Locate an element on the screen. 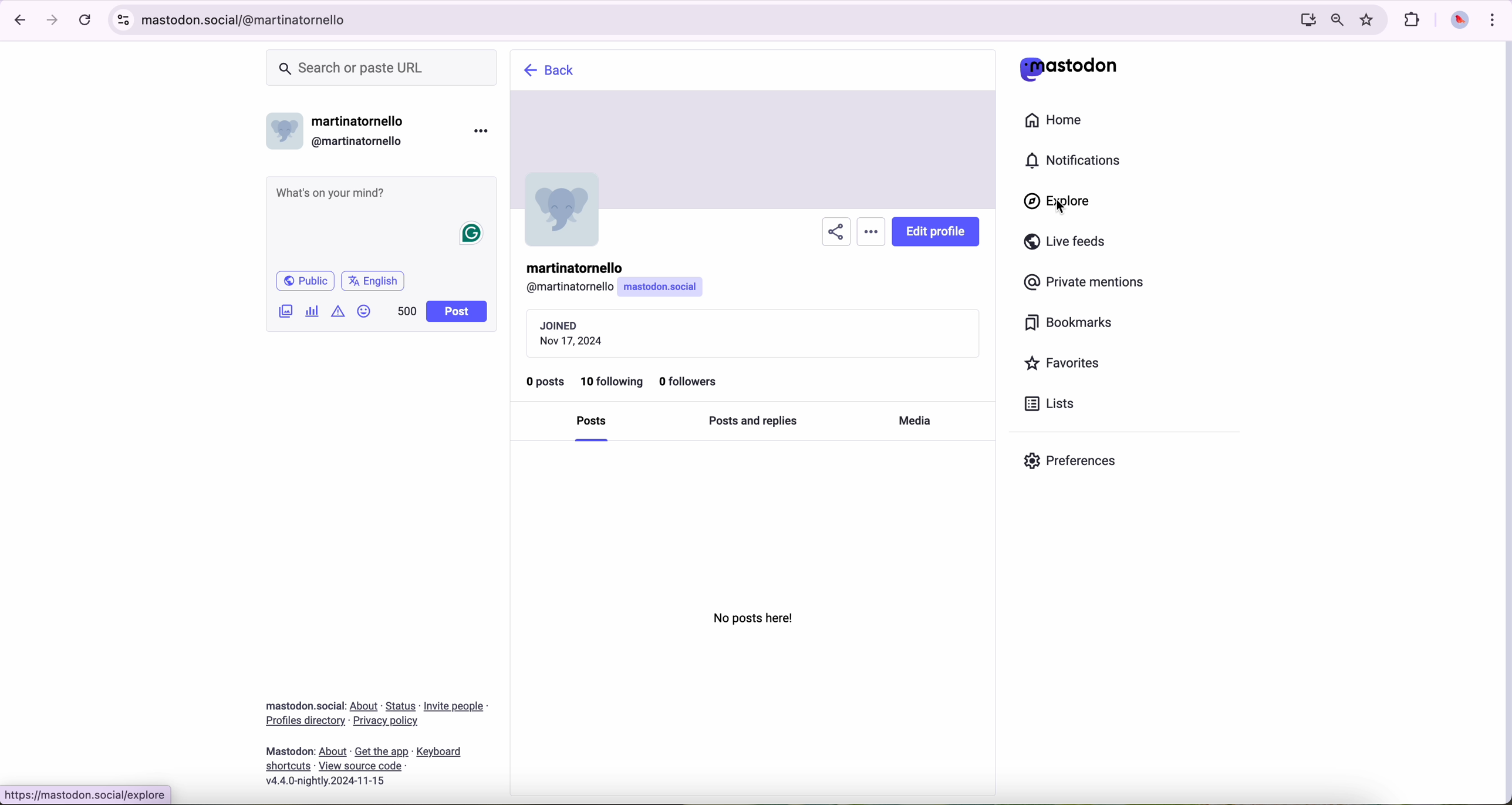 The image size is (1512, 805). user id is located at coordinates (361, 142).